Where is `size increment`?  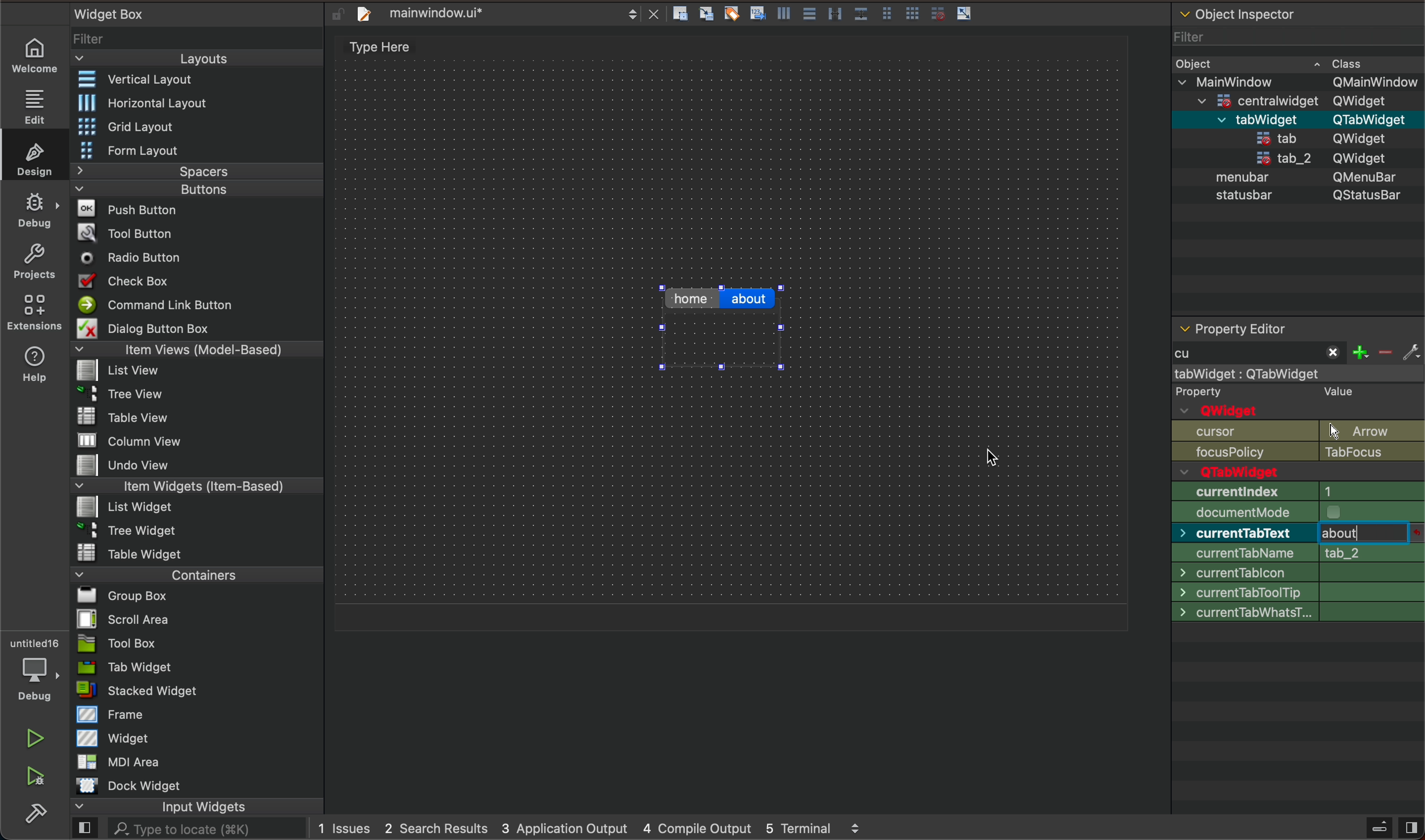 size increment is located at coordinates (1298, 571).